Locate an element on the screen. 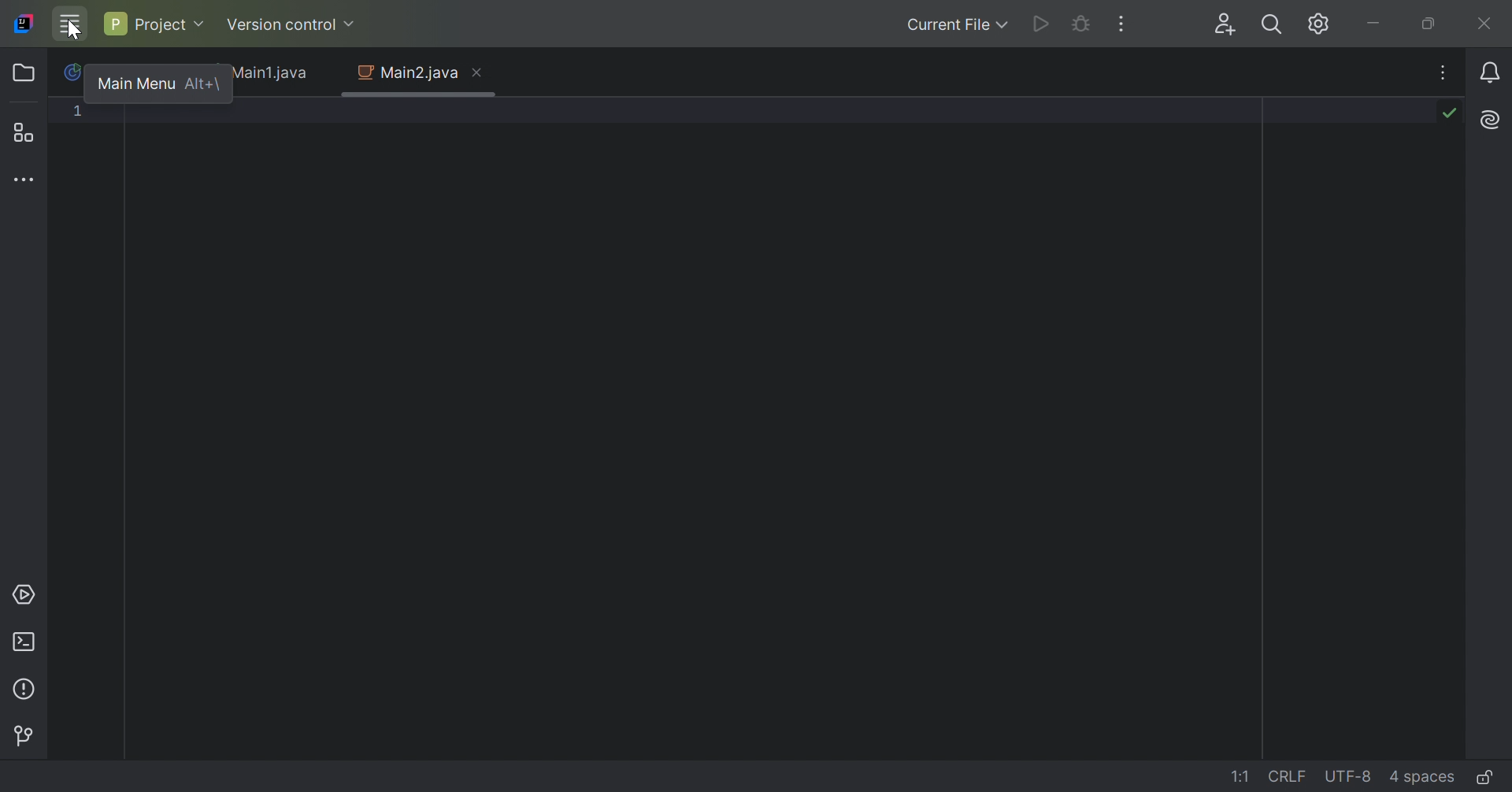 This screenshot has width=1512, height=792. Main1.java is located at coordinates (275, 74).